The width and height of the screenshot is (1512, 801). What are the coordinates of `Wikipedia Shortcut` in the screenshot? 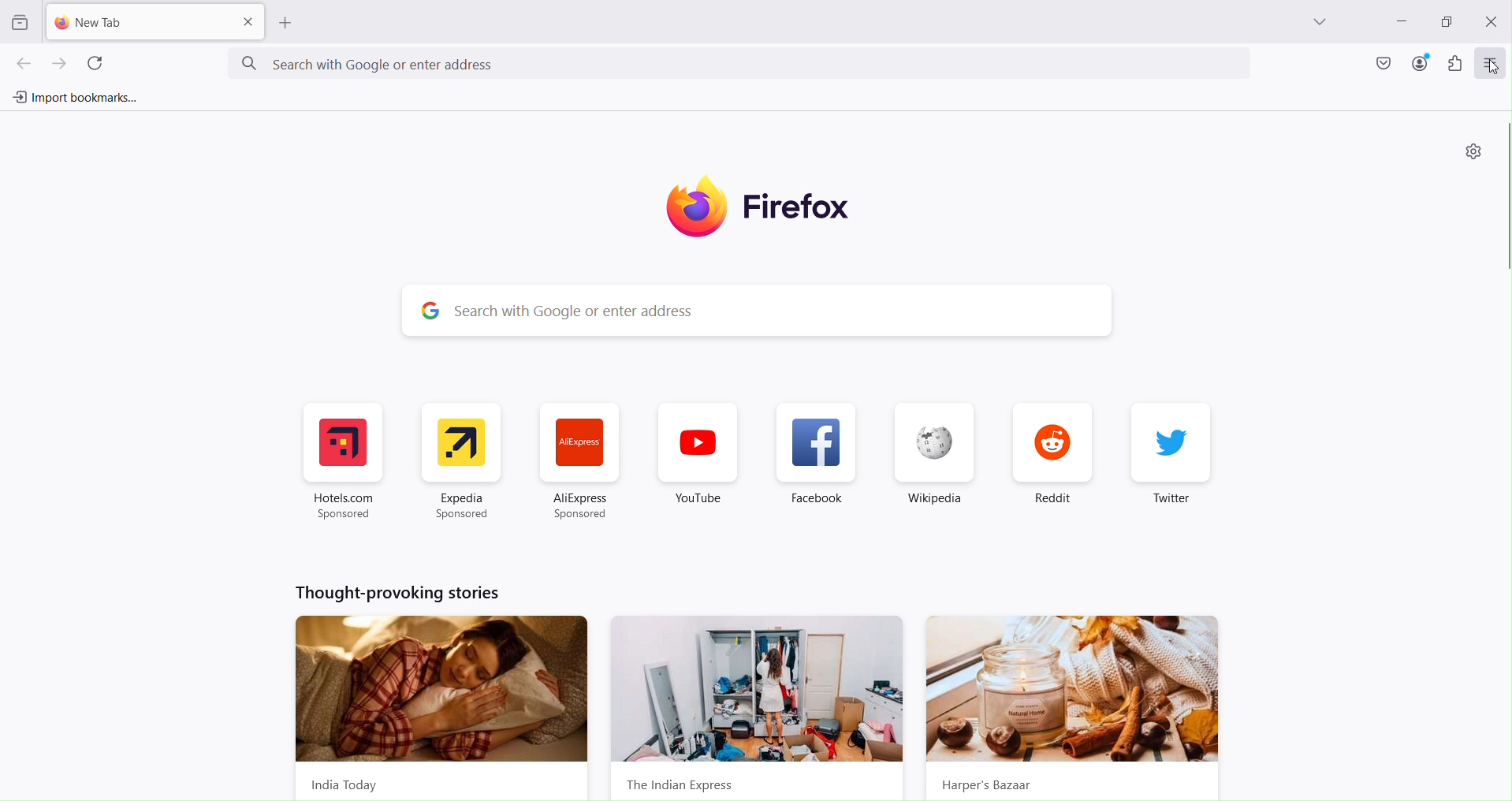 It's located at (933, 463).